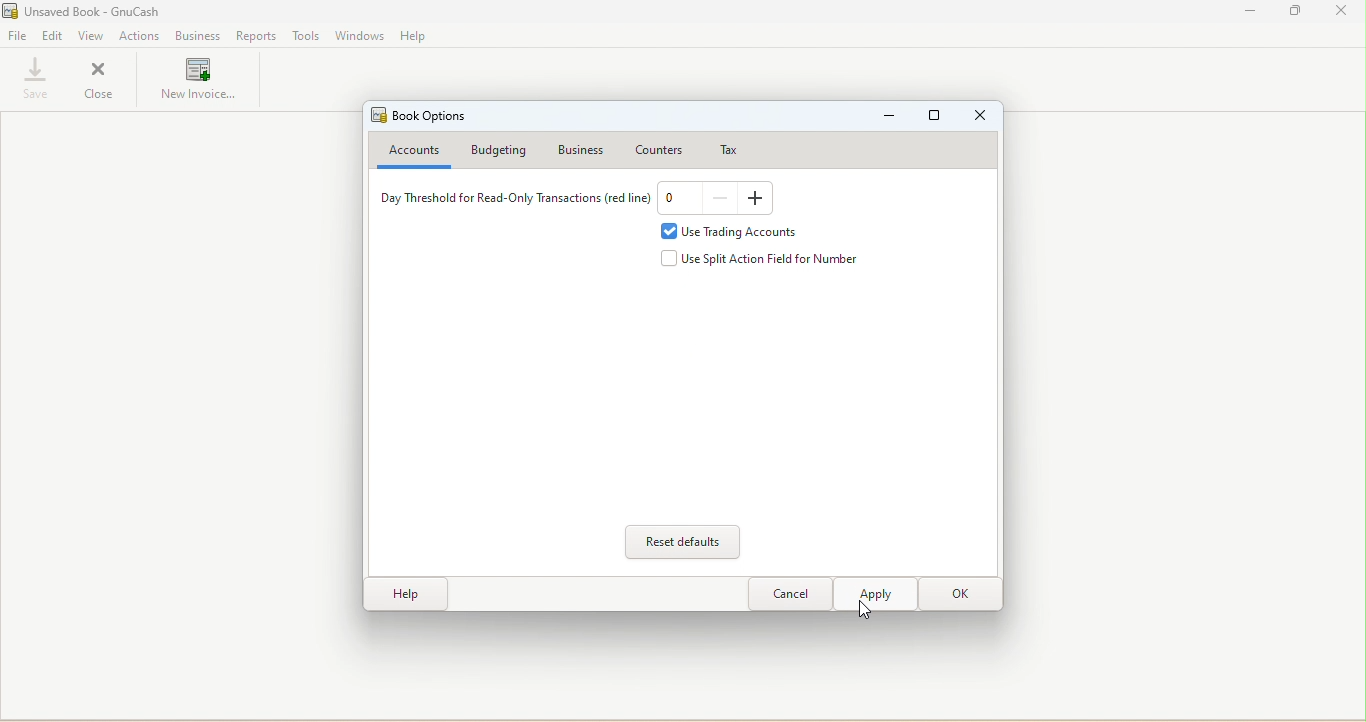 This screenshot has width=1366, height=722. What do you see at coordinates (982, 117) in the screenshot?
I see `Close` at bounding box center [982, 117].